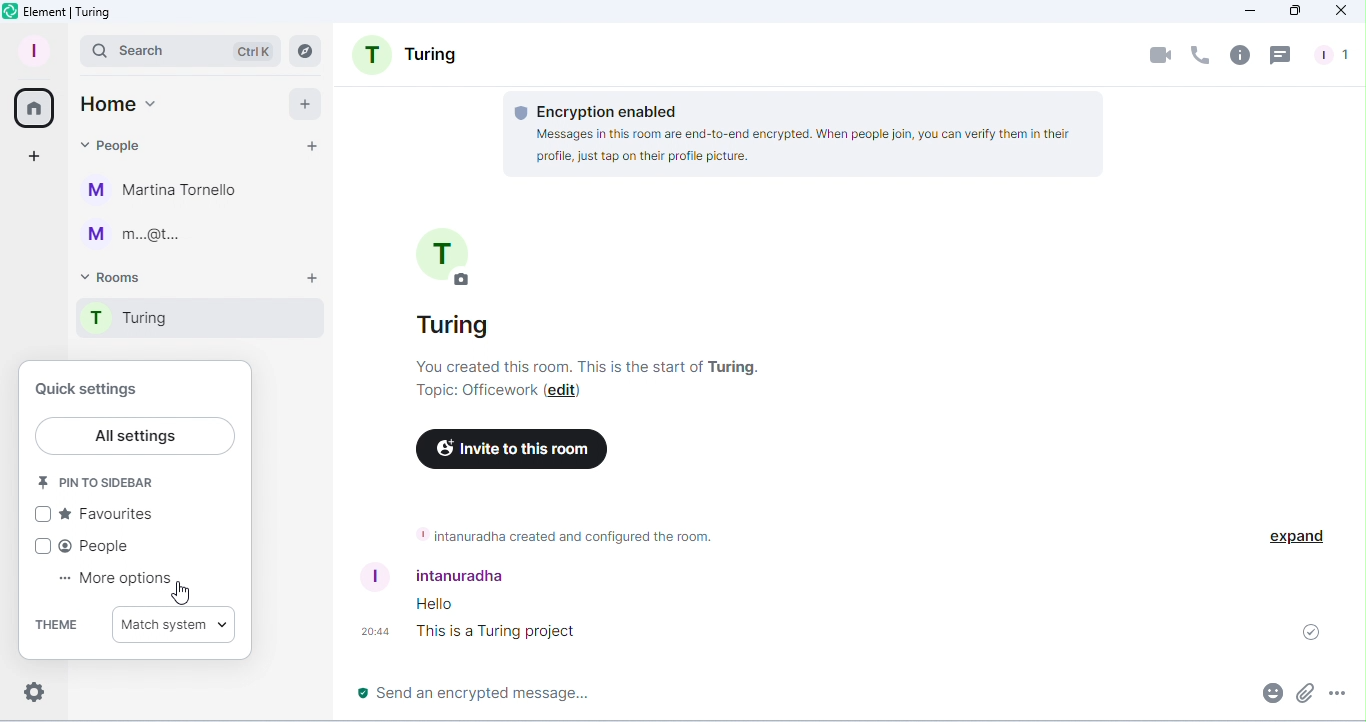 The height and width of the screenshot is (722, 1366). I want to click on Room info, so click(1239, 58).